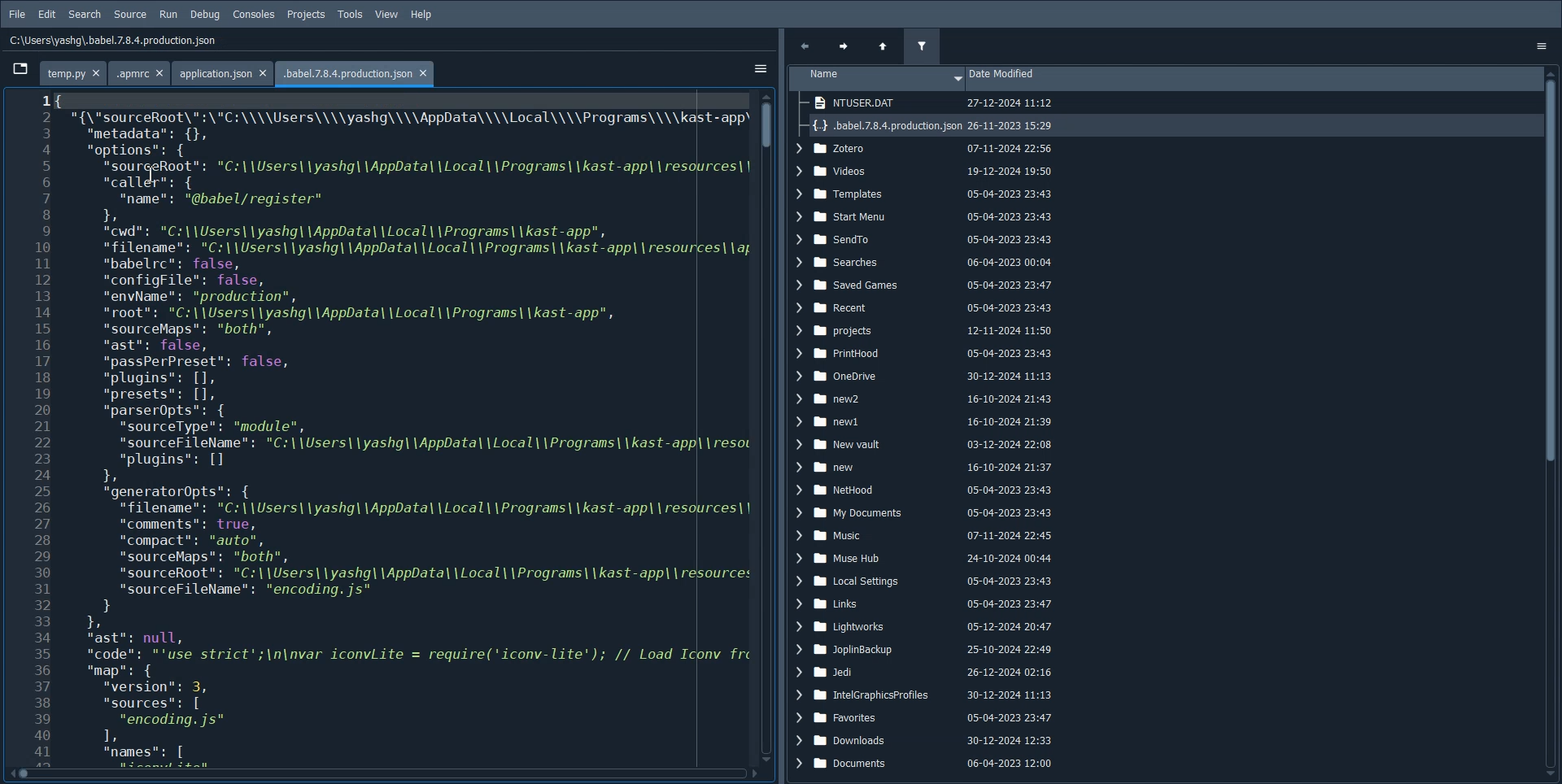 This screenshot has height=784, width=1562. What do you see at coordinates (932, 115) in the screenshot?
I see `Sub file tree` at bounding box center [932, 115].